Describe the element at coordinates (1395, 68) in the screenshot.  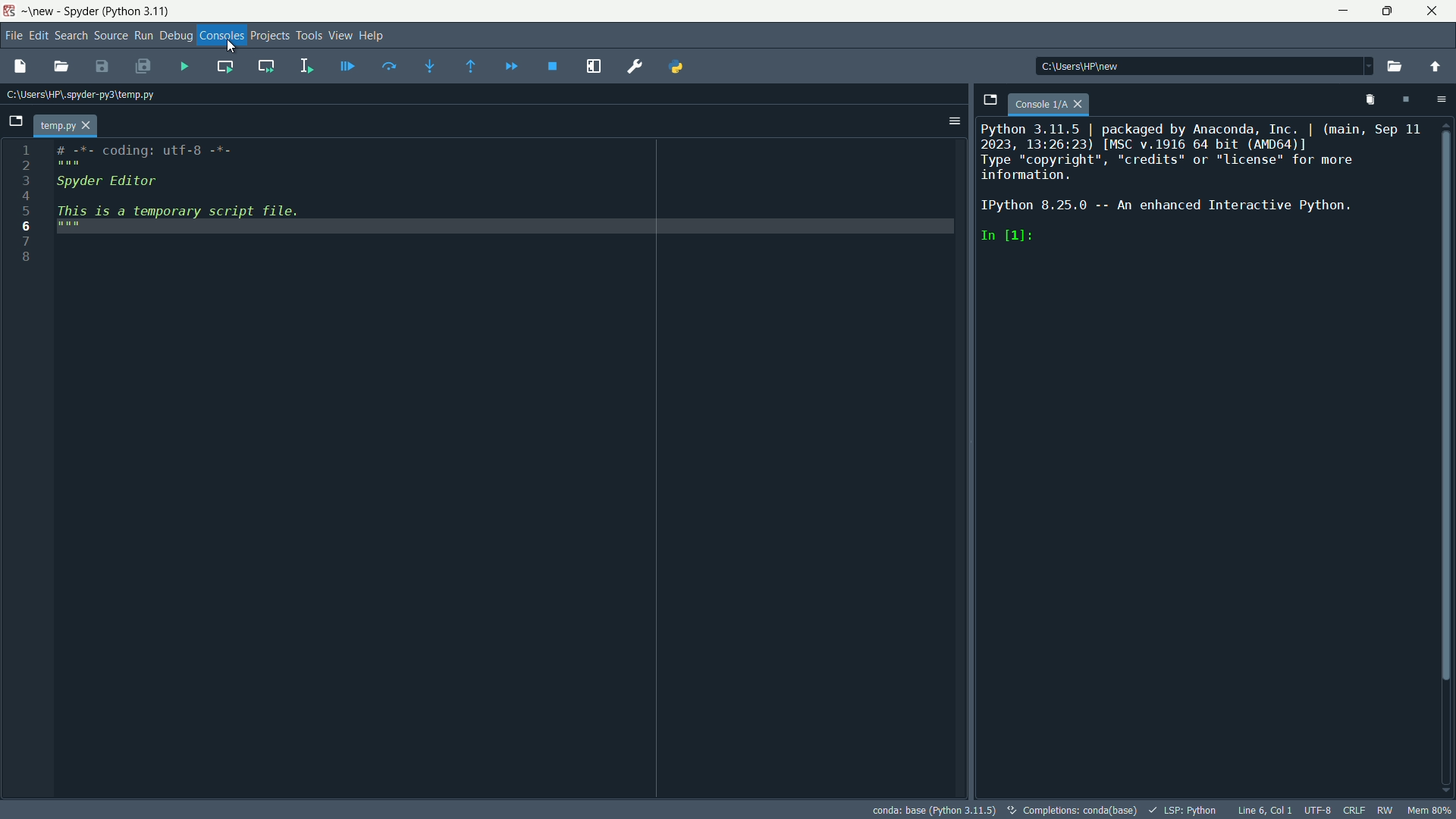
I see `browse a working directory` at that location.